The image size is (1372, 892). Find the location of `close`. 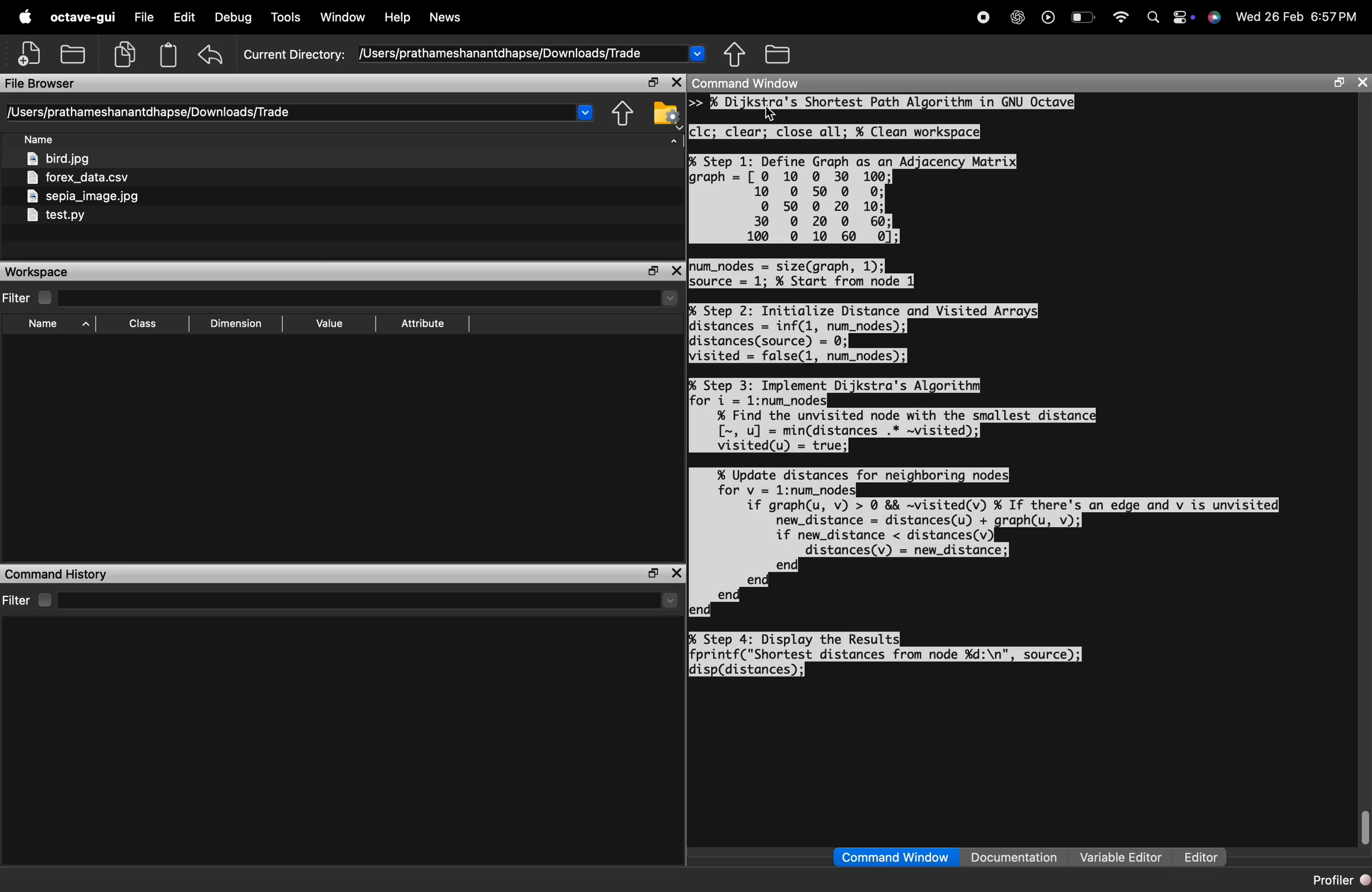

close is located at coordinates (677, 574).